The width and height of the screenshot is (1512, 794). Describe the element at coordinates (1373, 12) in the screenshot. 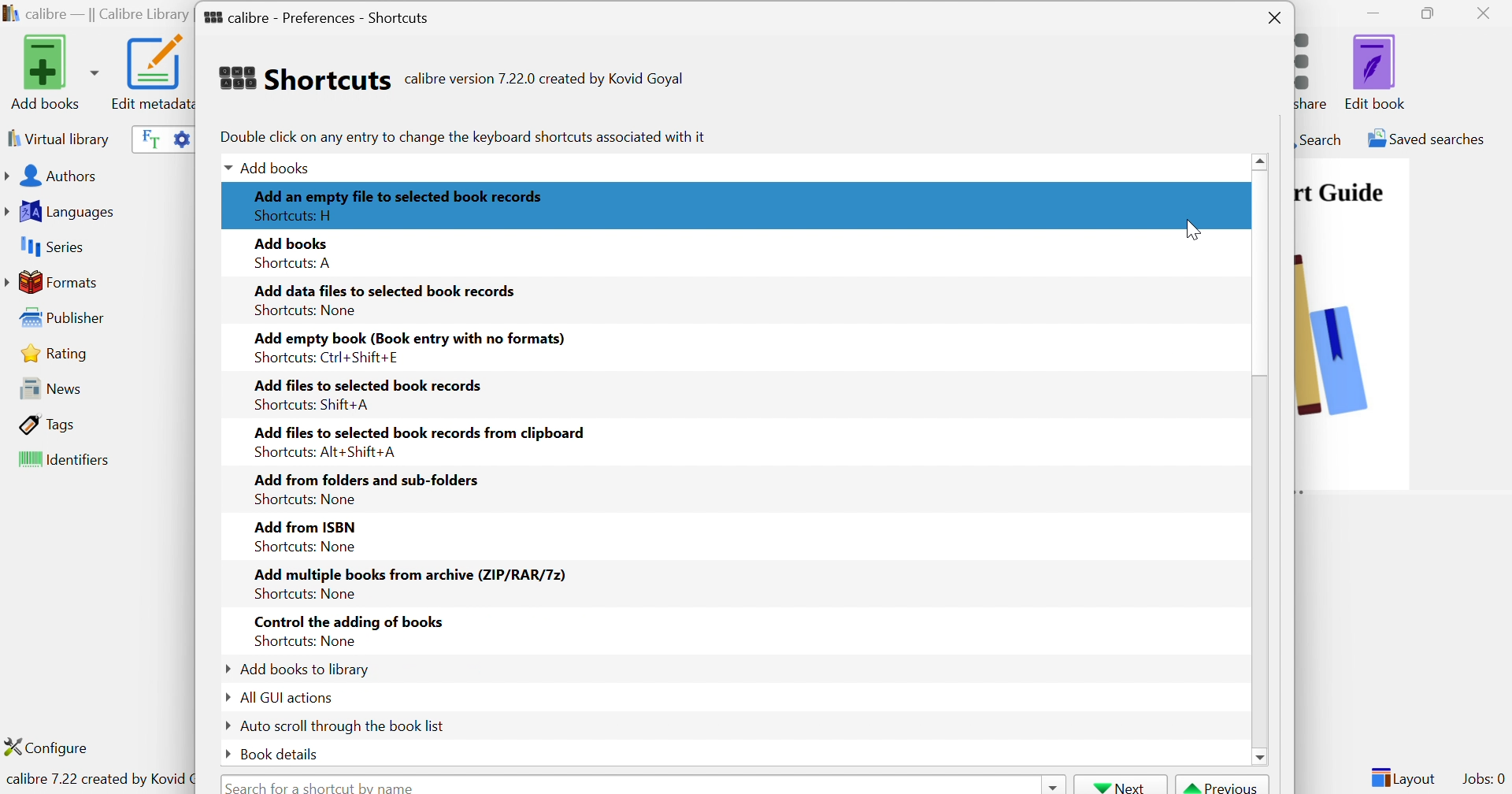

I see `Minimize` at that location.